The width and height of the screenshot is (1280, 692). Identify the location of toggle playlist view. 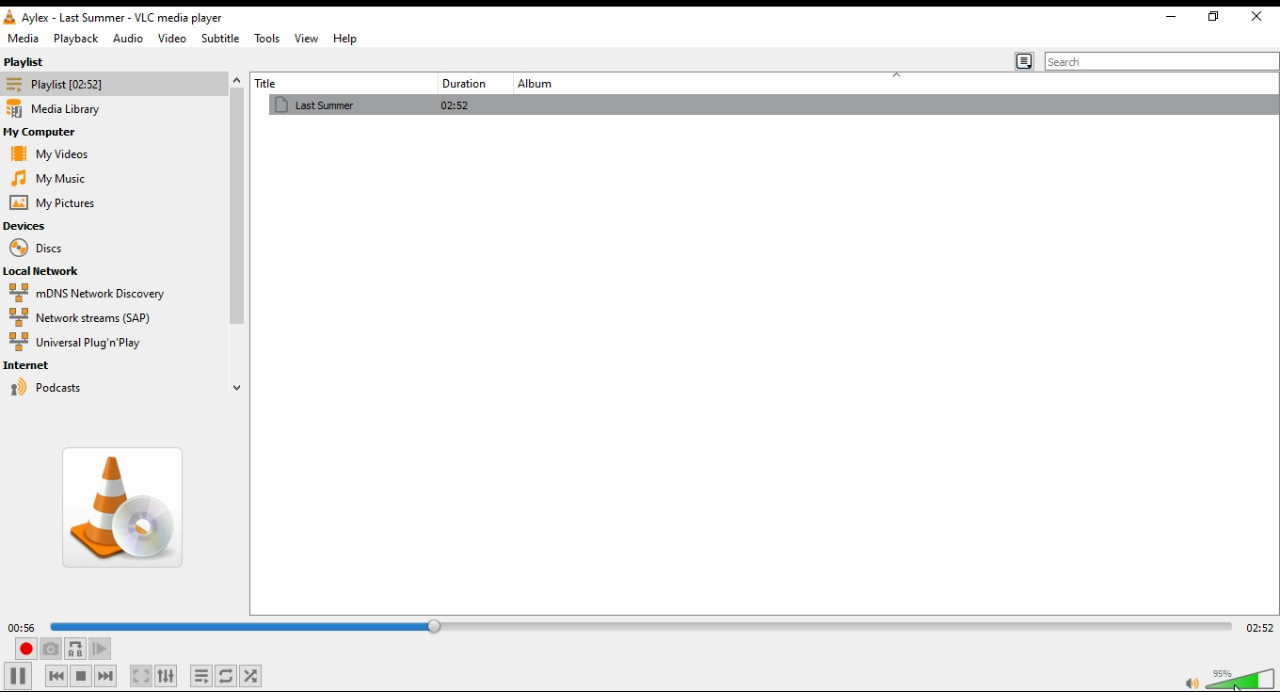
(1024, 61).